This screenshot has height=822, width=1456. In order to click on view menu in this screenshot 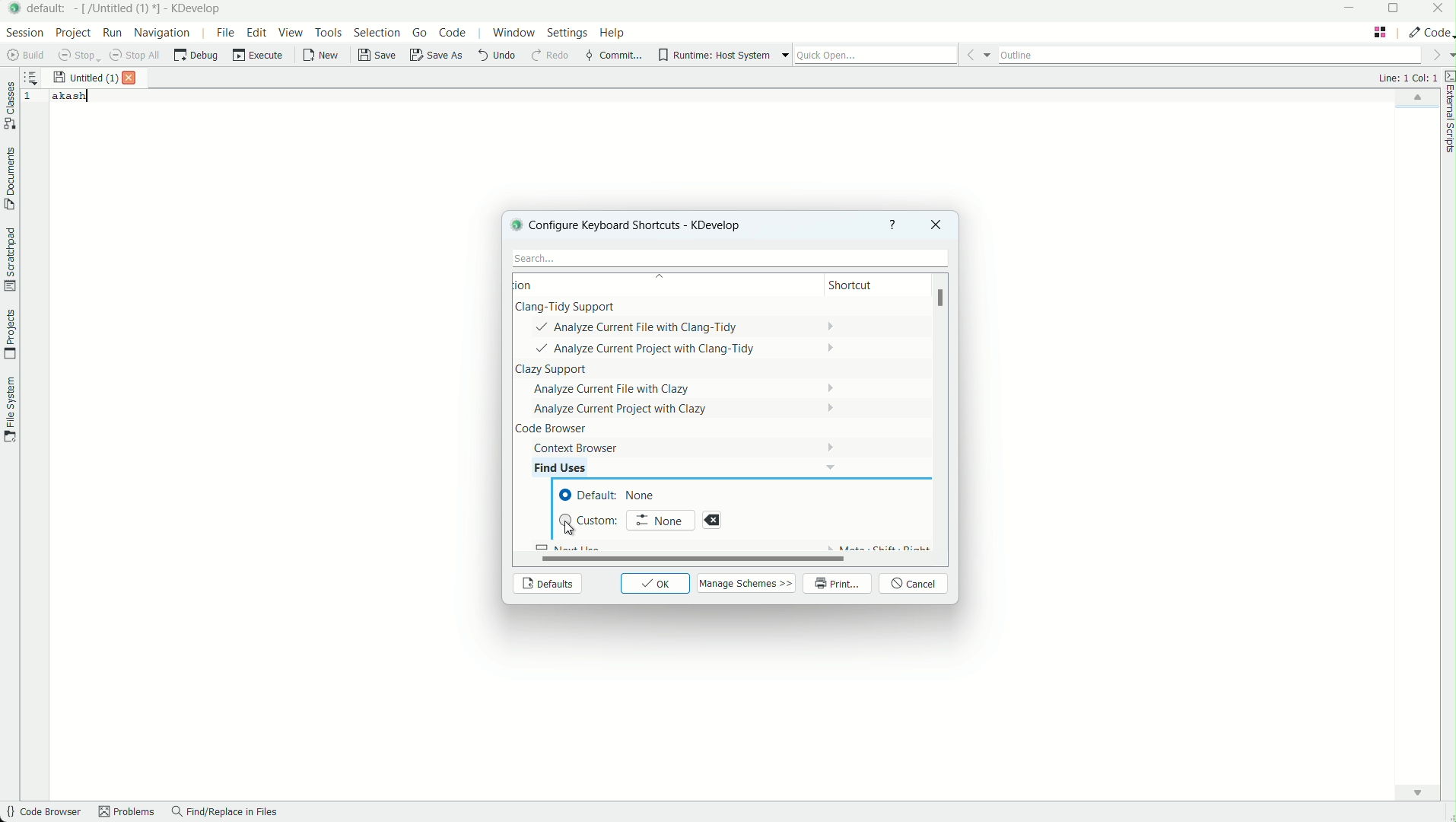, I will do `click(293, 33)`.